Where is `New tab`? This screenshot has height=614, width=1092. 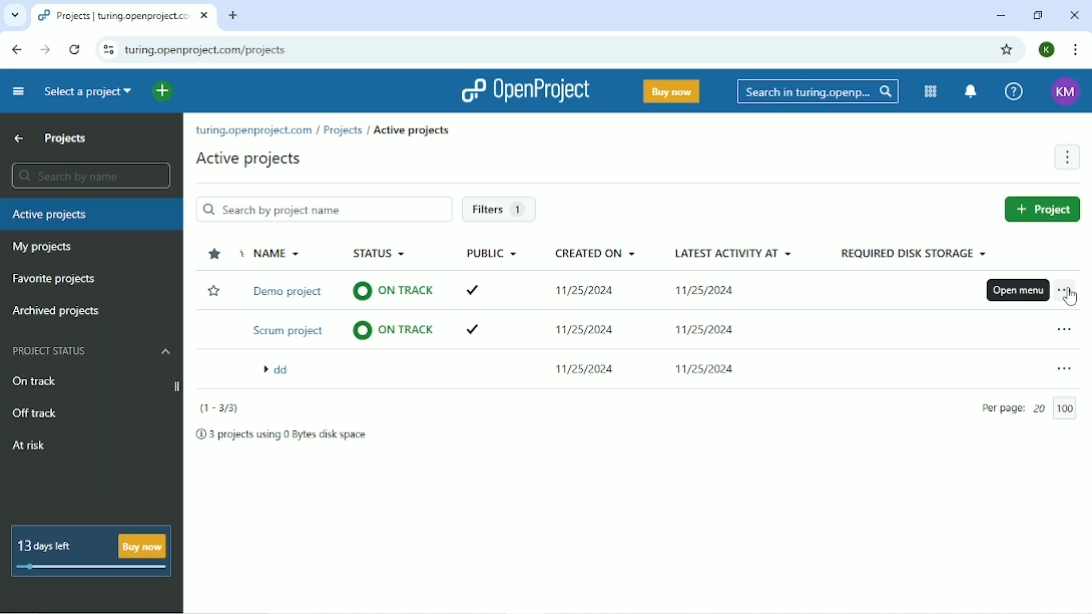 New tab is located at coordinates (235, 16).